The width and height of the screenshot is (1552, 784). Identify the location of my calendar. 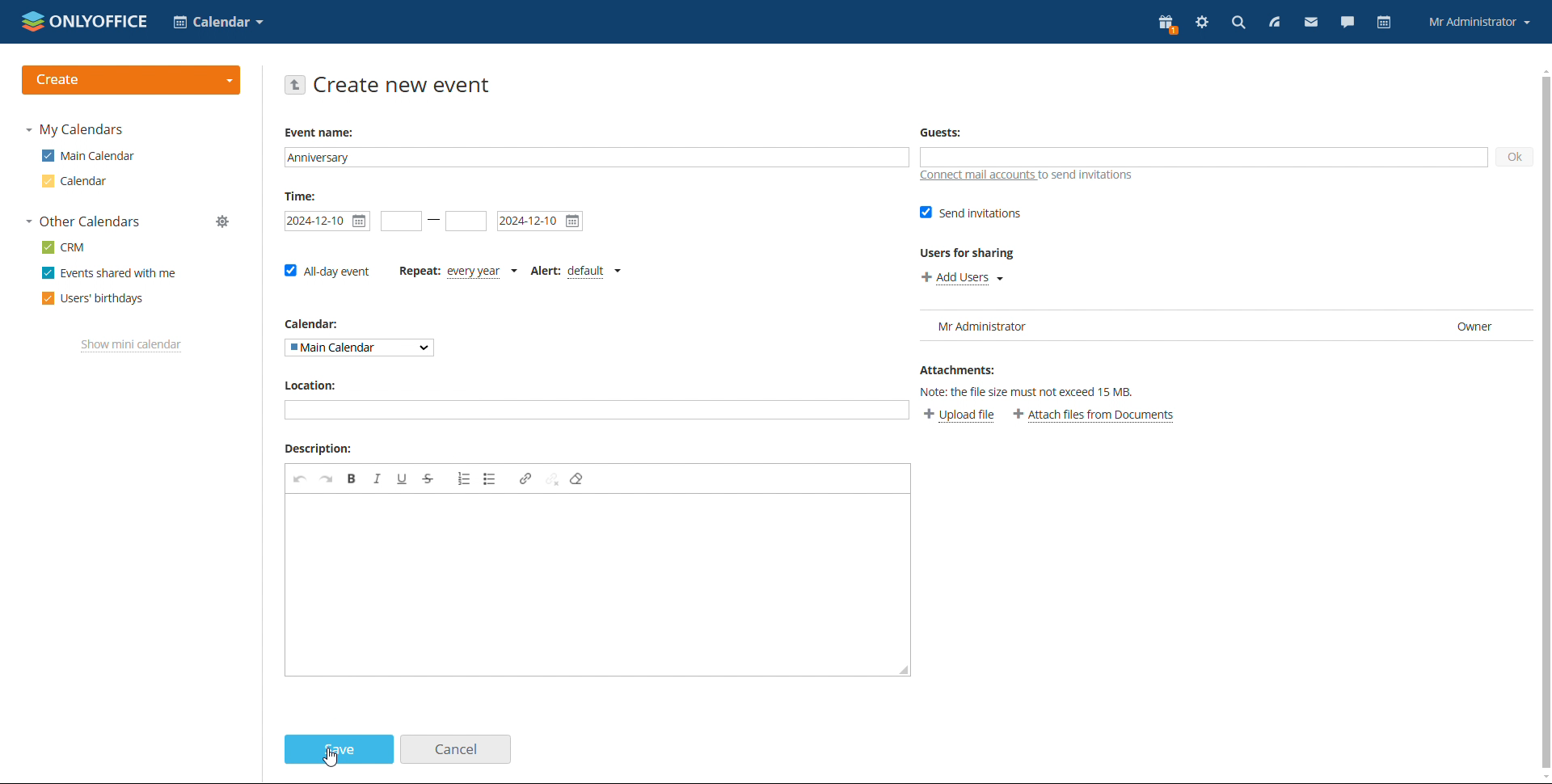
(82, 131).